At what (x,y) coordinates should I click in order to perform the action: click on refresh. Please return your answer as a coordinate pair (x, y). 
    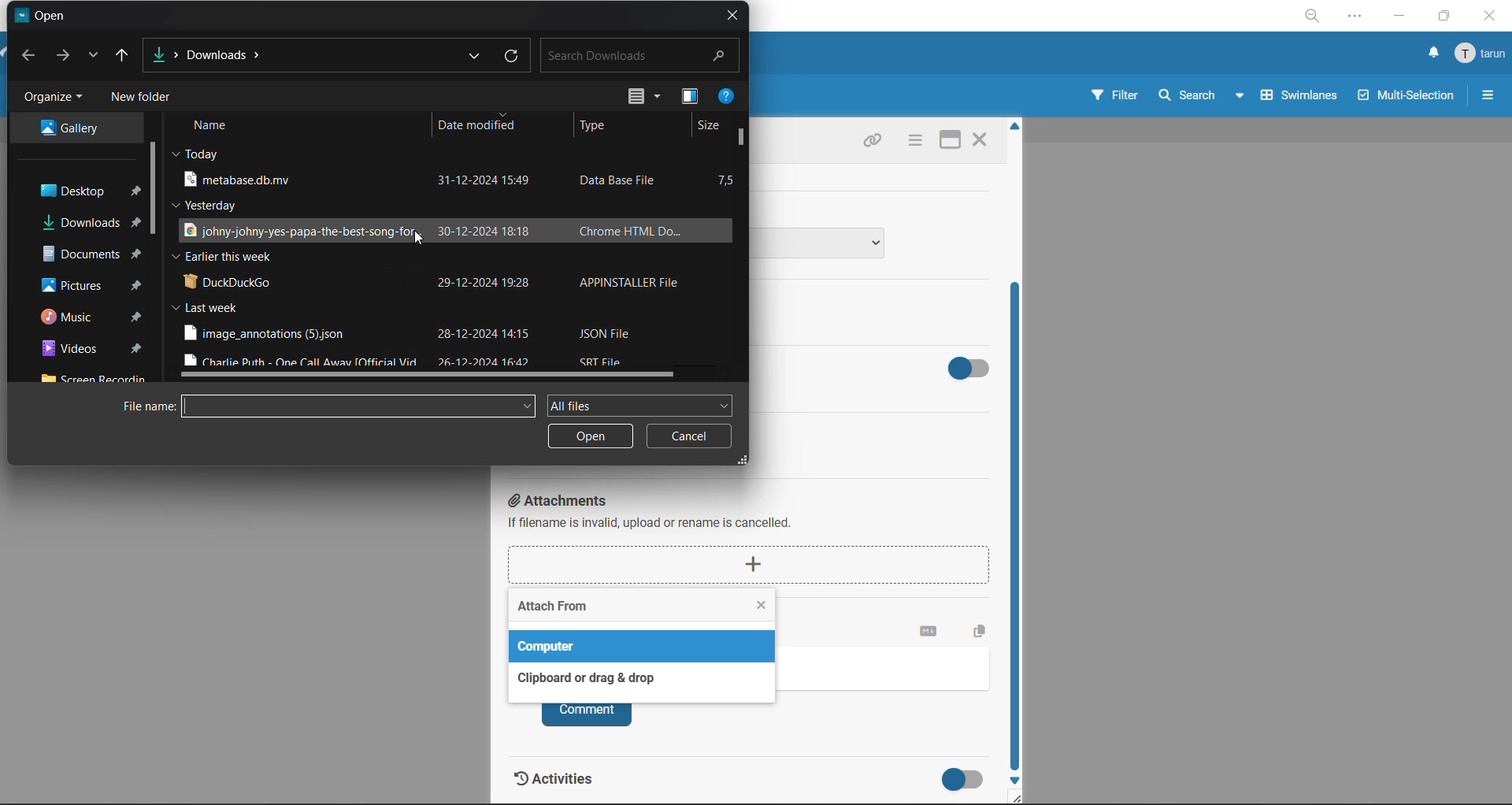
    Looking at the image, I should click on (511, 57).